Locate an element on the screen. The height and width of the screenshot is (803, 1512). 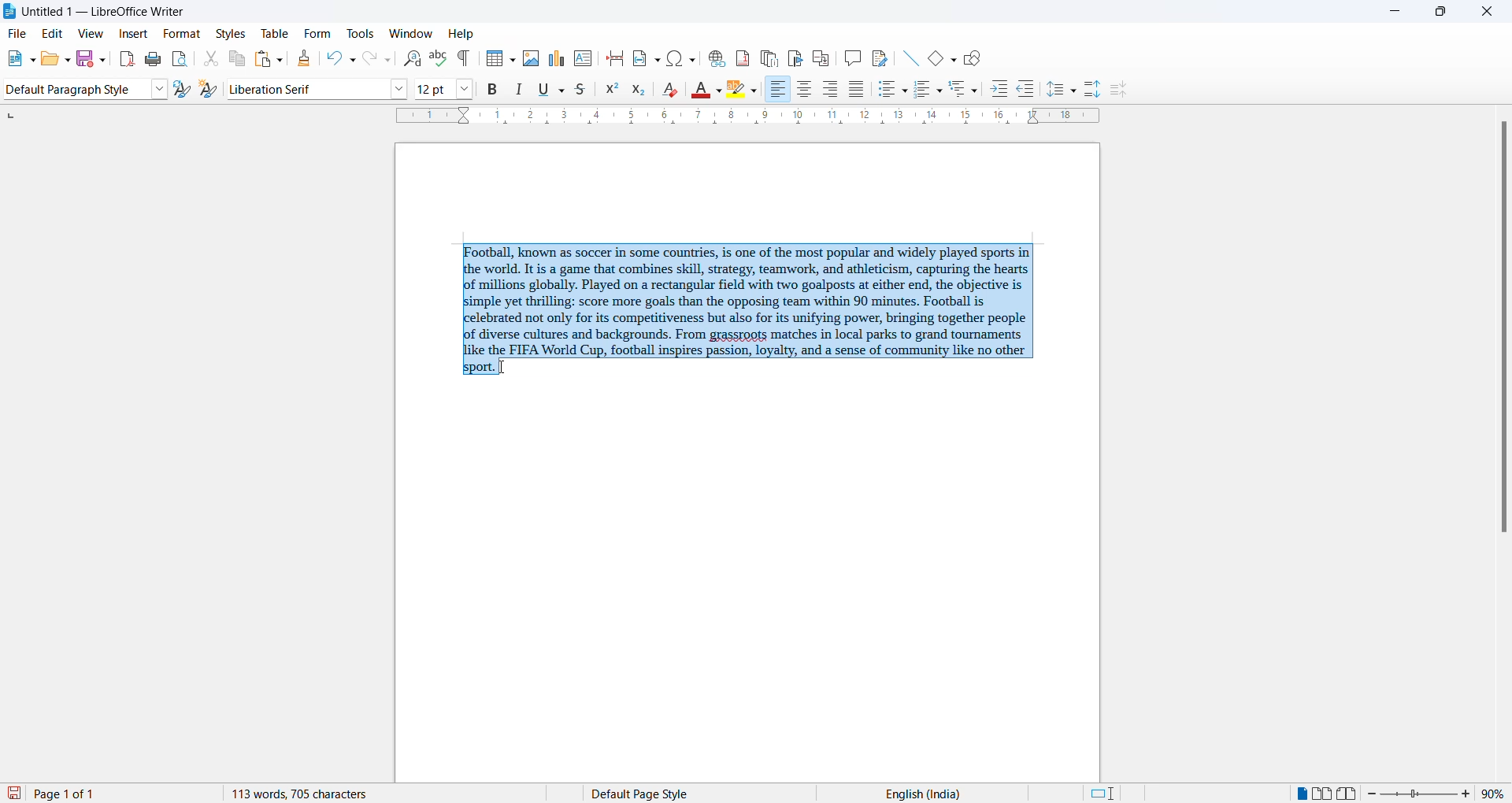
underline is located at coordinates (543, 87).